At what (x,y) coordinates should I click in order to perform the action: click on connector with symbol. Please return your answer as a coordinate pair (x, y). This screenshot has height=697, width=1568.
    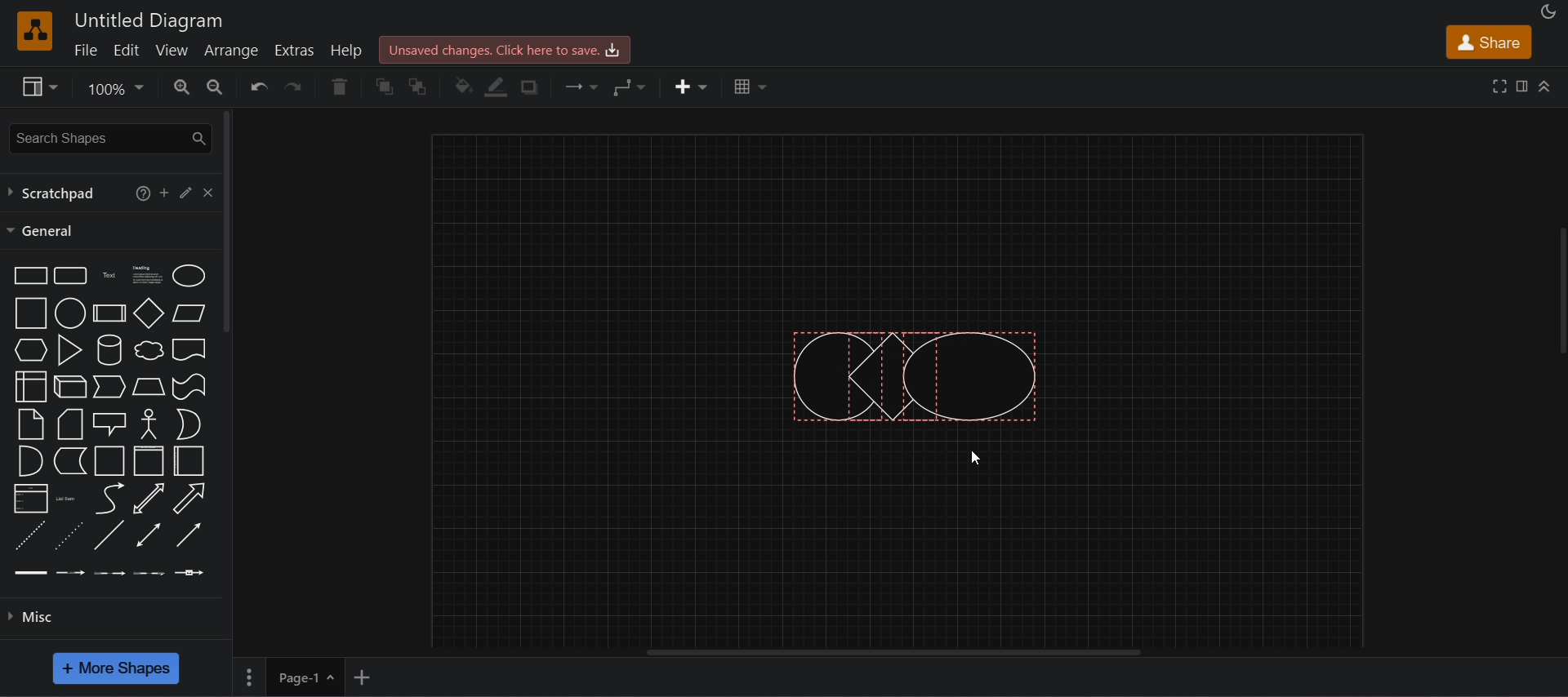
    Looking at the image, I should click on (190, 570).